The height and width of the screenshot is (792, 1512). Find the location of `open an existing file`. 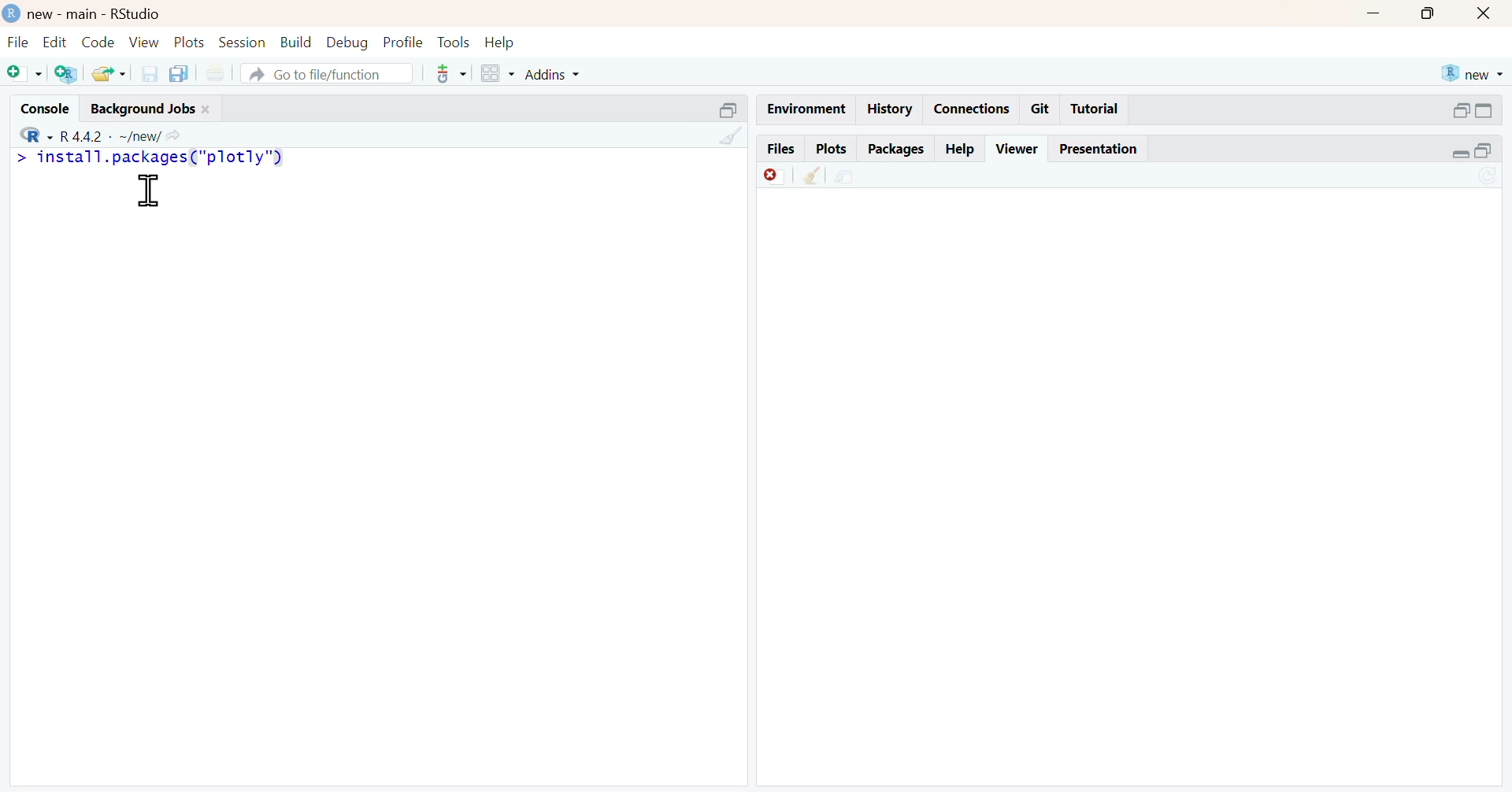

open an existing file is located at coordinates (108, 74).